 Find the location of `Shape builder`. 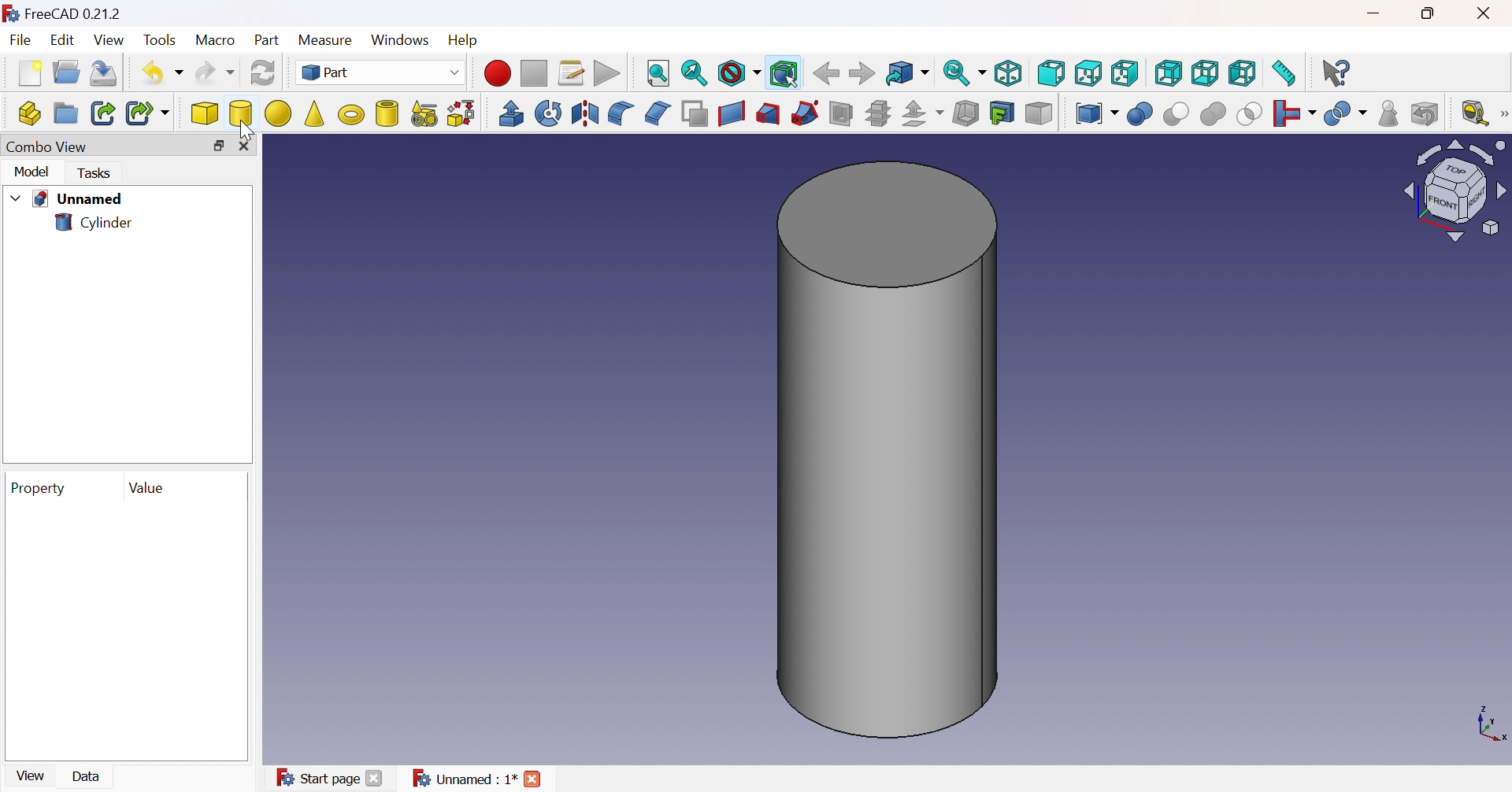

Shape builder is located at coordinates (462, 114).